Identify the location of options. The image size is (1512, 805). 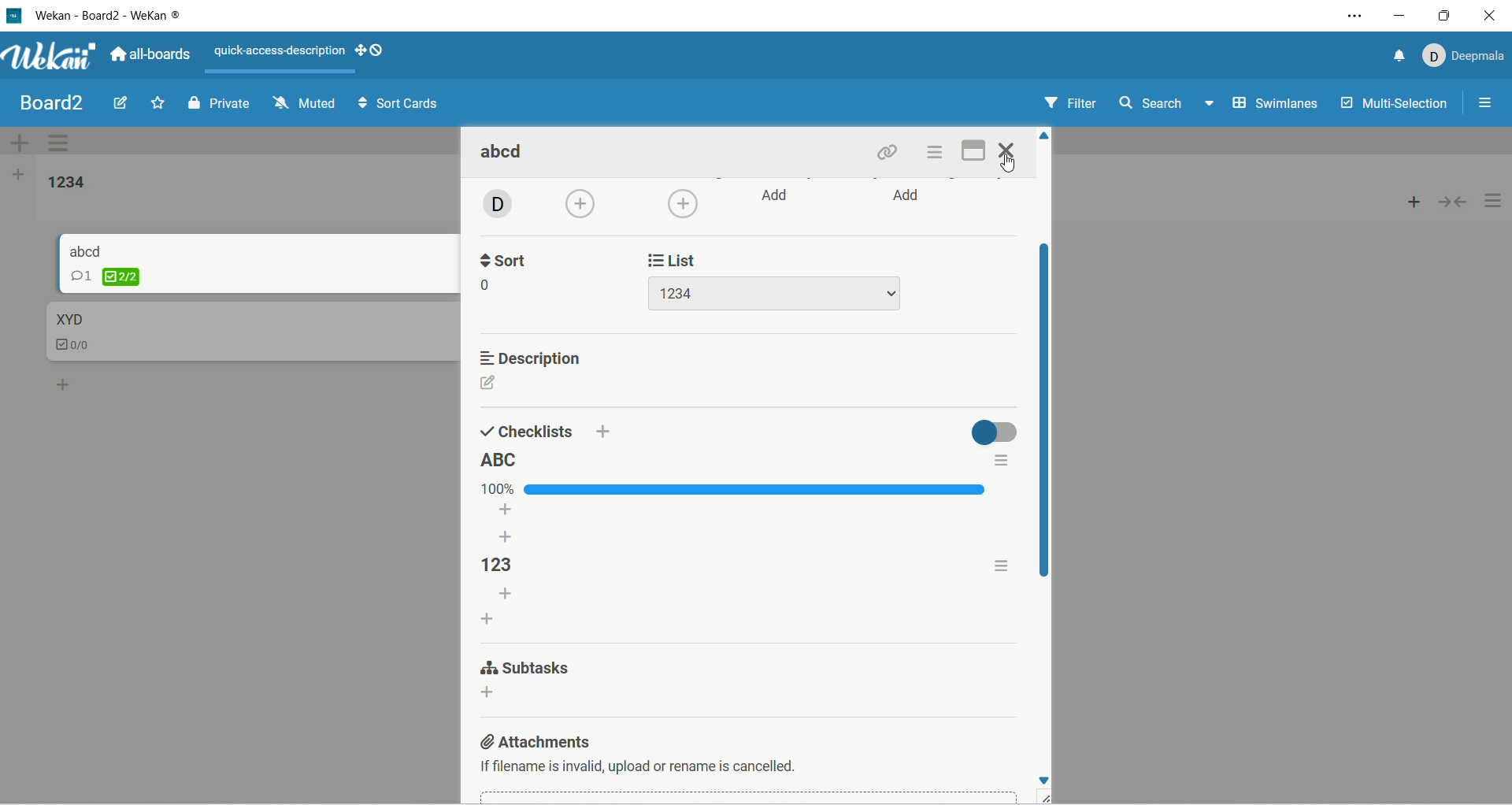
(936, 153).